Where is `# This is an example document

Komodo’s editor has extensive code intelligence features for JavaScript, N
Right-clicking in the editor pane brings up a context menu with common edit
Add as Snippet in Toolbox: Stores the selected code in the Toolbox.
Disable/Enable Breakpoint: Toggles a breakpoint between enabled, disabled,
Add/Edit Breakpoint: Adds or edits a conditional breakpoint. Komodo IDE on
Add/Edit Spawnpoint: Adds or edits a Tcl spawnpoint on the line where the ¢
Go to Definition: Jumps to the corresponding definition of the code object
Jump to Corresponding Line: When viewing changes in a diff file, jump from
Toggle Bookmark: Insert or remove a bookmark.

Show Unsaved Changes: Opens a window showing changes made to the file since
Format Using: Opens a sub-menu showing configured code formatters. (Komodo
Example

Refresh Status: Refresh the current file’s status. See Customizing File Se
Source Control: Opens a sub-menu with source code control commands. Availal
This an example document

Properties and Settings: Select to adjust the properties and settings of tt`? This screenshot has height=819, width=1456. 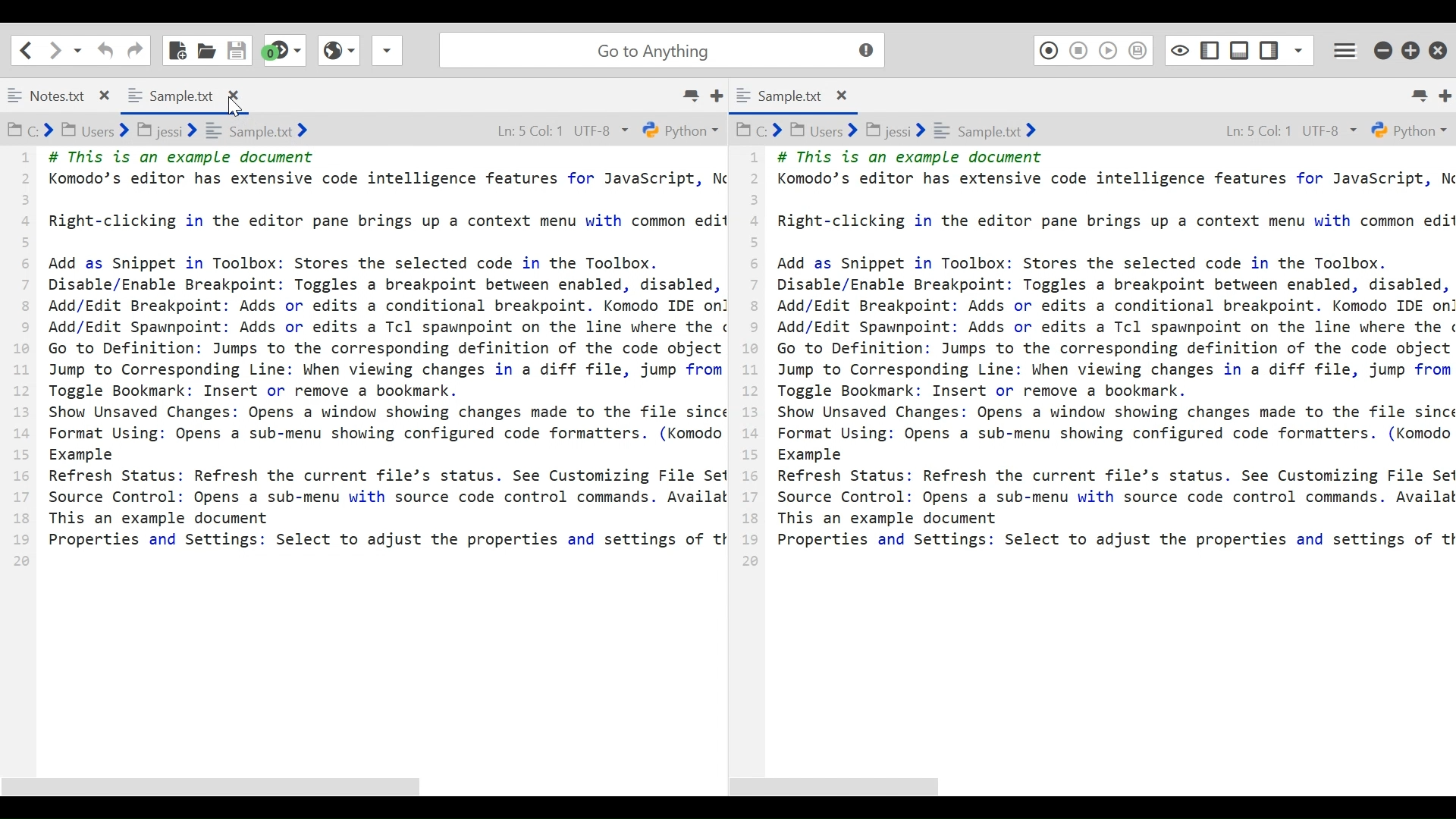 # This is an example document

Komodo’s editor has extensive code intelligence features for JavaScript, N
Right-clicking in the editor pane brings up a context menu with common edit
Add as Snippet in Toolbox: Stores the selected code in the Toolbox.
Disable/Enable Breakpoint: Toggles a breakpoint between enabled, disabled,
Add/Edit Breakpoint: Adds or edits a conditional breakpoint. Komodo IDE on
Add/Edit Spawnpoint: Adds or edits a Tcl spawnpoint on the line where the ¢
Go to Definition: Jumps to the corresponding definition of the code object
Jump to Corresponding Line: When viewing changes in a diff file, jump from
Toggle Bookmark: Insert or remove a bookmark.

Show Unsaved Changes: Opens a window showing changes made to the file since
Format Using: Opens a sub-menu showing configured code formatters. (Komodo
Example

Refresh Status: Refresh the current file’s status. See Customizing File Se
Source Control: Opens a sub-menu with source code control commands. Availal
This an example document

Properties and Settings: Select to adjust the properties and settings of tt is located at coordinates (386, 356).